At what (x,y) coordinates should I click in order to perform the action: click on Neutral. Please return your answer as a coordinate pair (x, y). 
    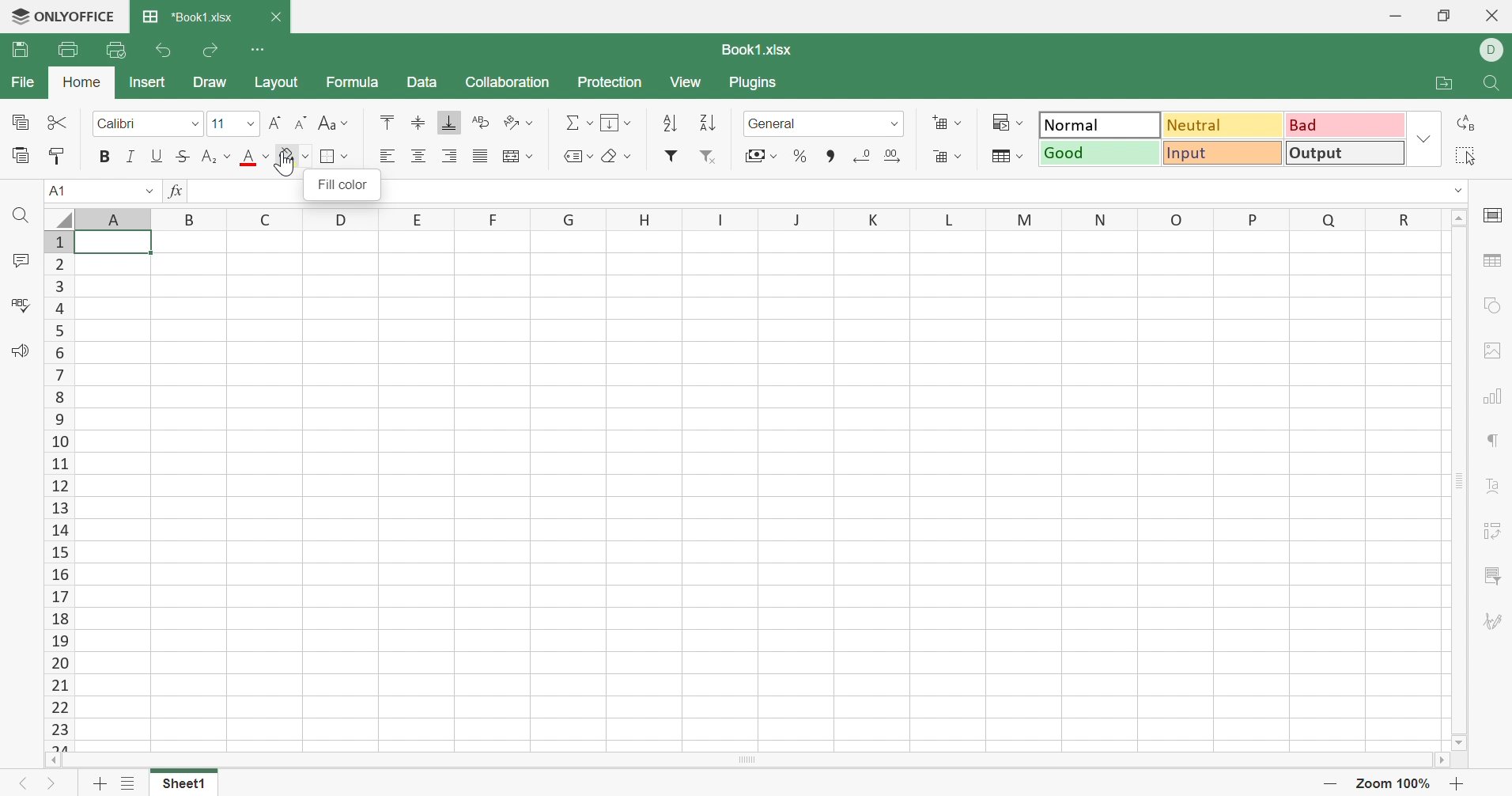
    Looking at the image, I should click on (1223, 123).